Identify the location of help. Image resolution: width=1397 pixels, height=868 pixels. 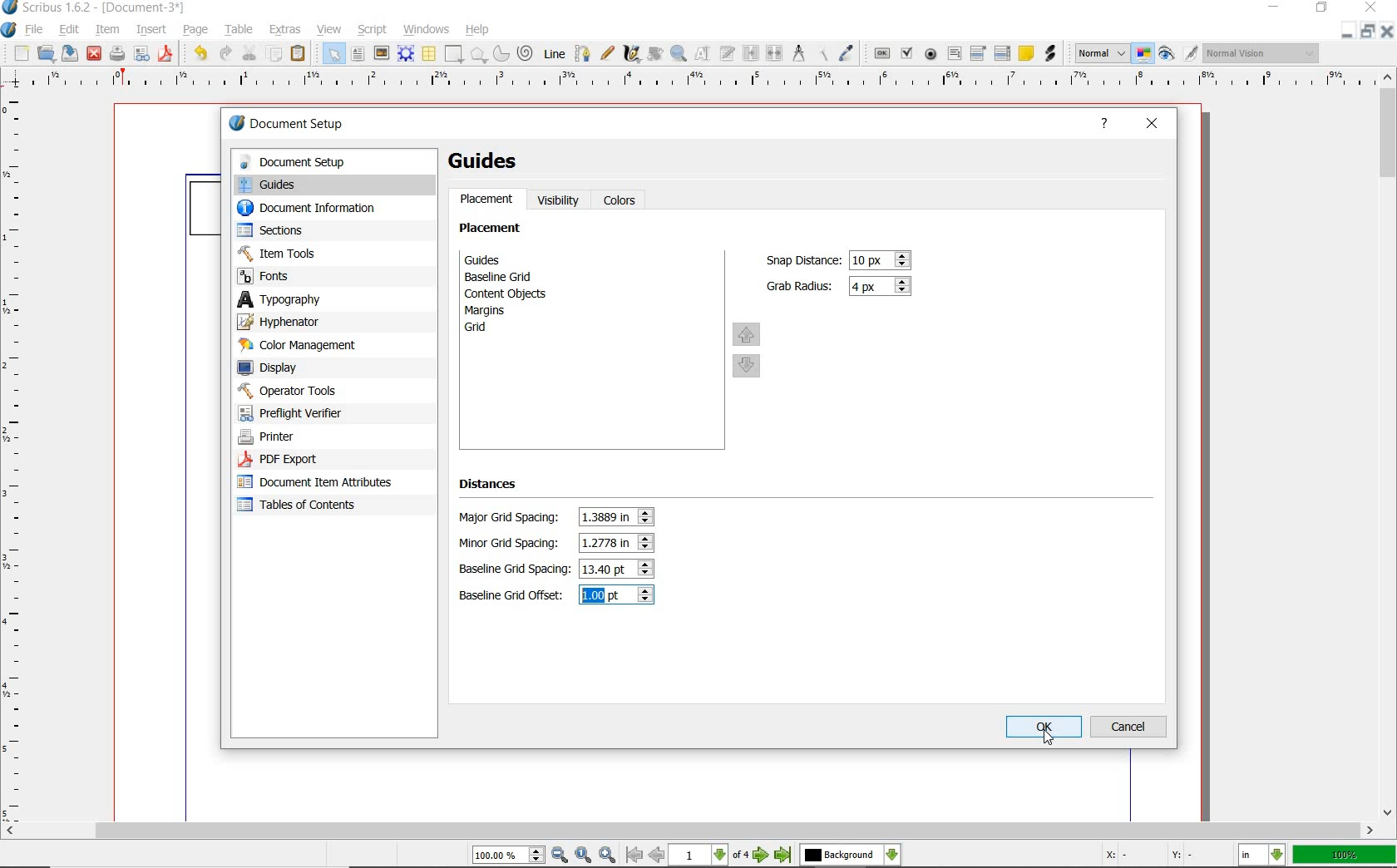
(477, 31).